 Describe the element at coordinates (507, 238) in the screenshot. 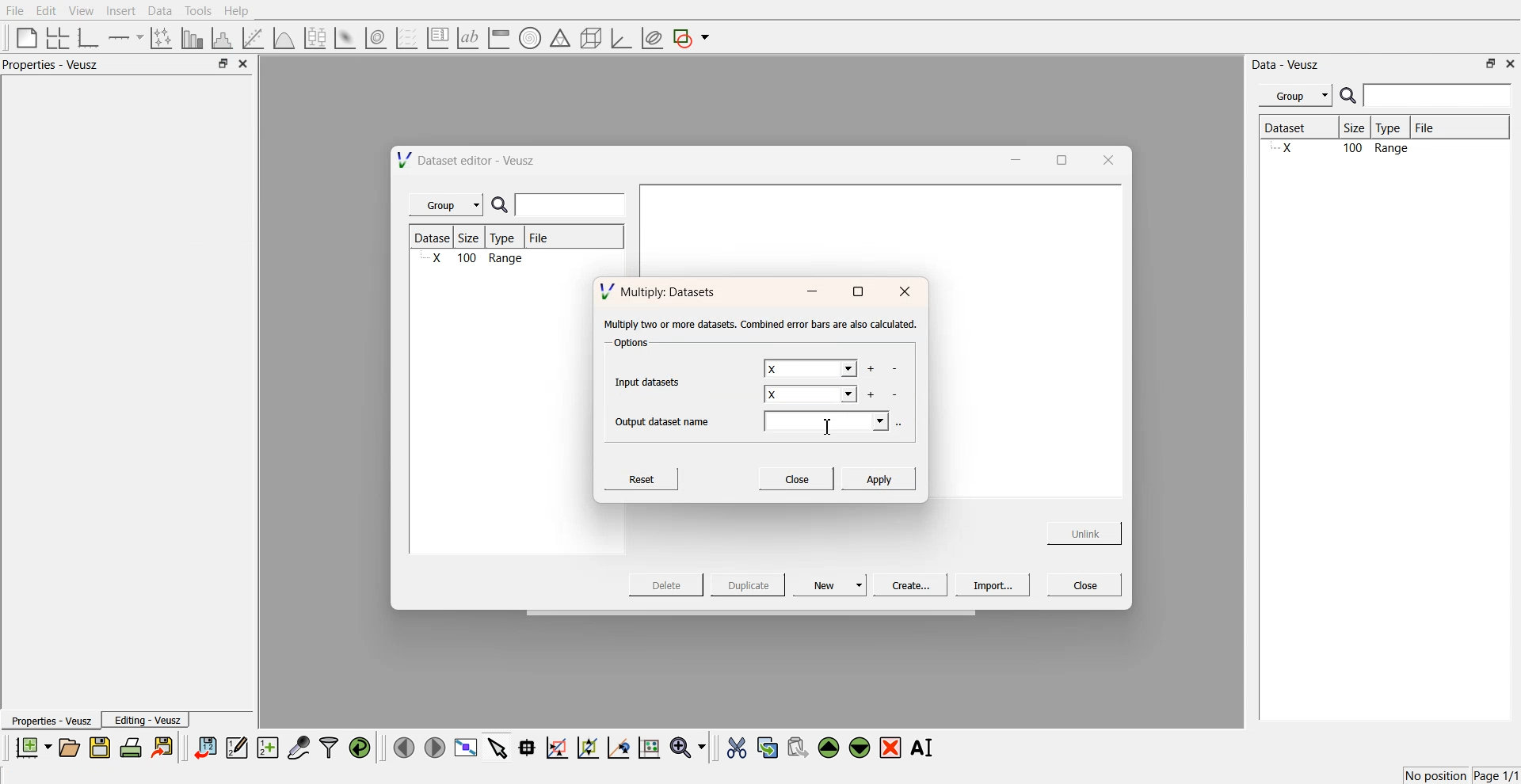

I see `Type` at that location.